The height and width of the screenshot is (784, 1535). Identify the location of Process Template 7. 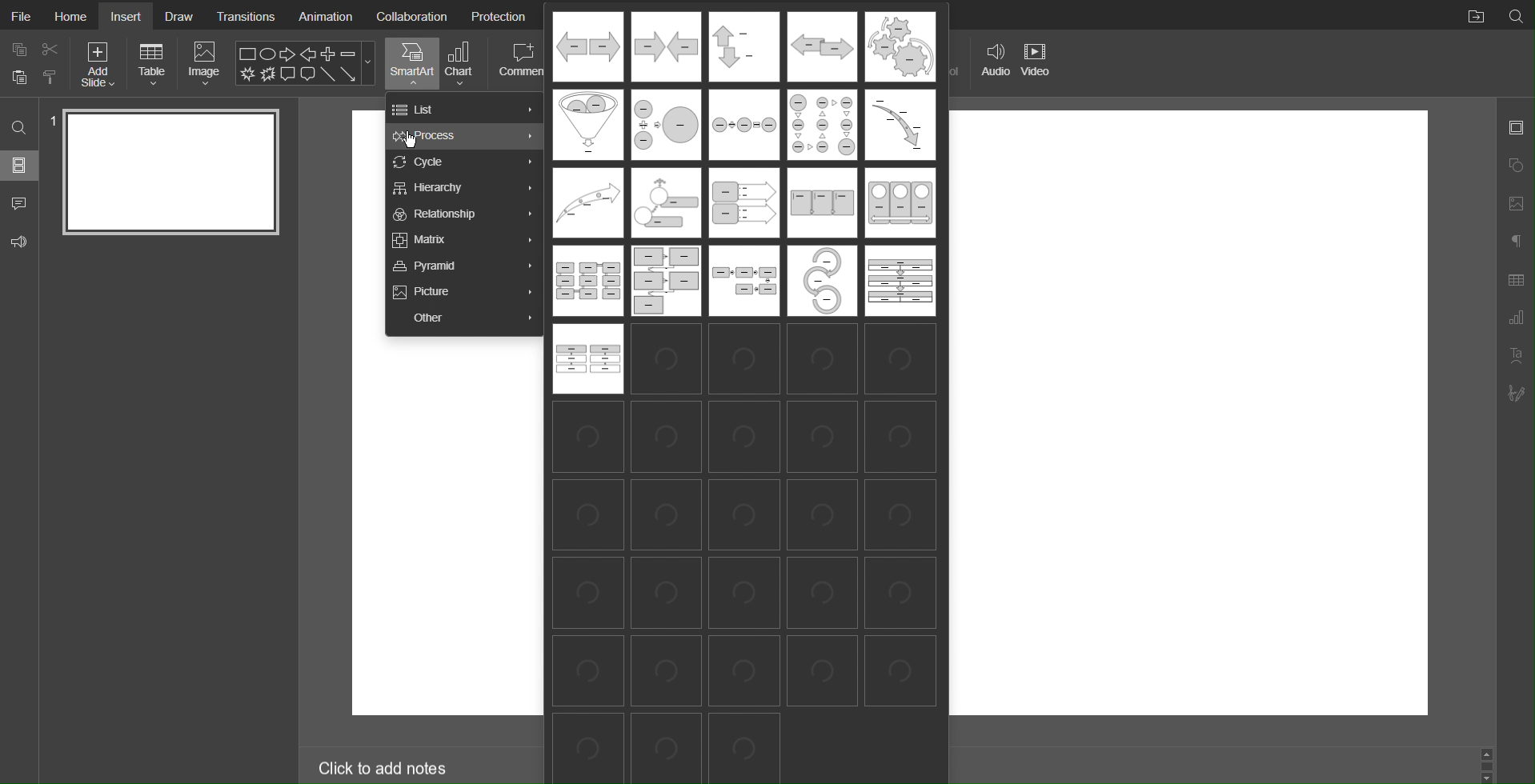
(663, 124).